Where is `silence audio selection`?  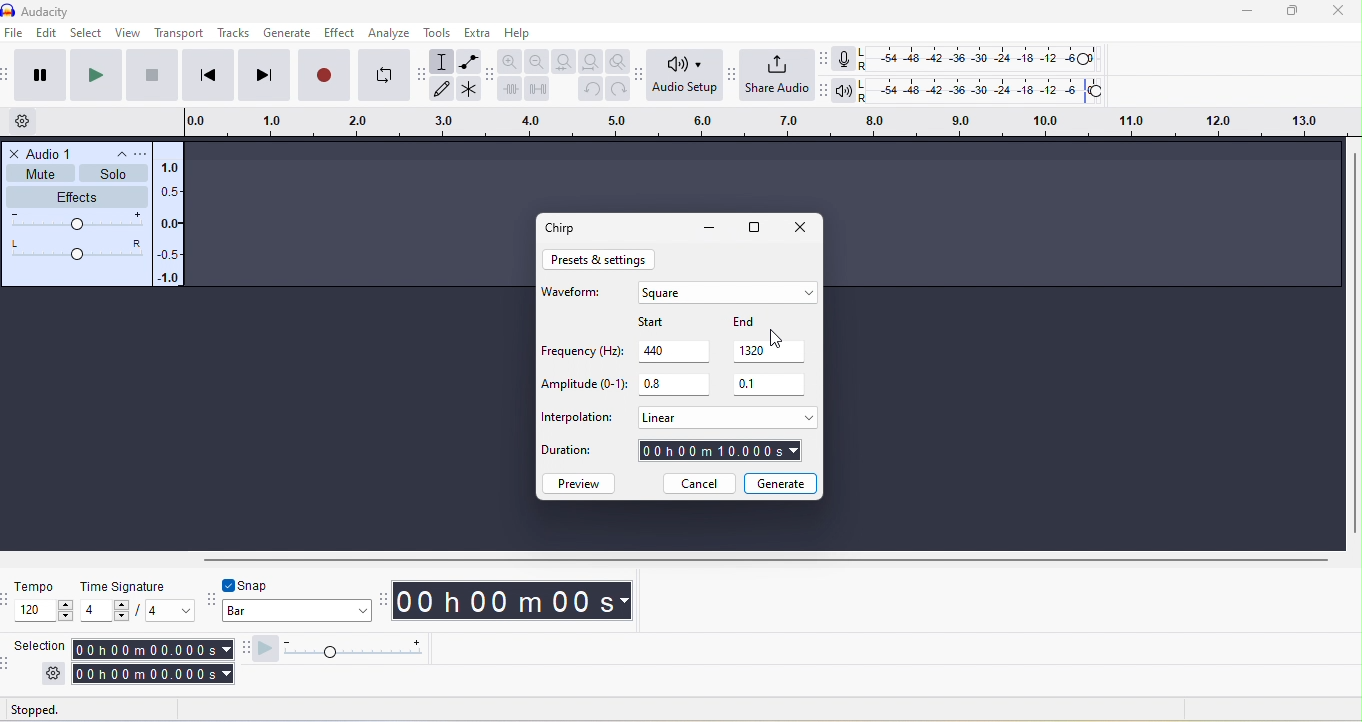 silence audio selection is located at coordinates (538, 88).